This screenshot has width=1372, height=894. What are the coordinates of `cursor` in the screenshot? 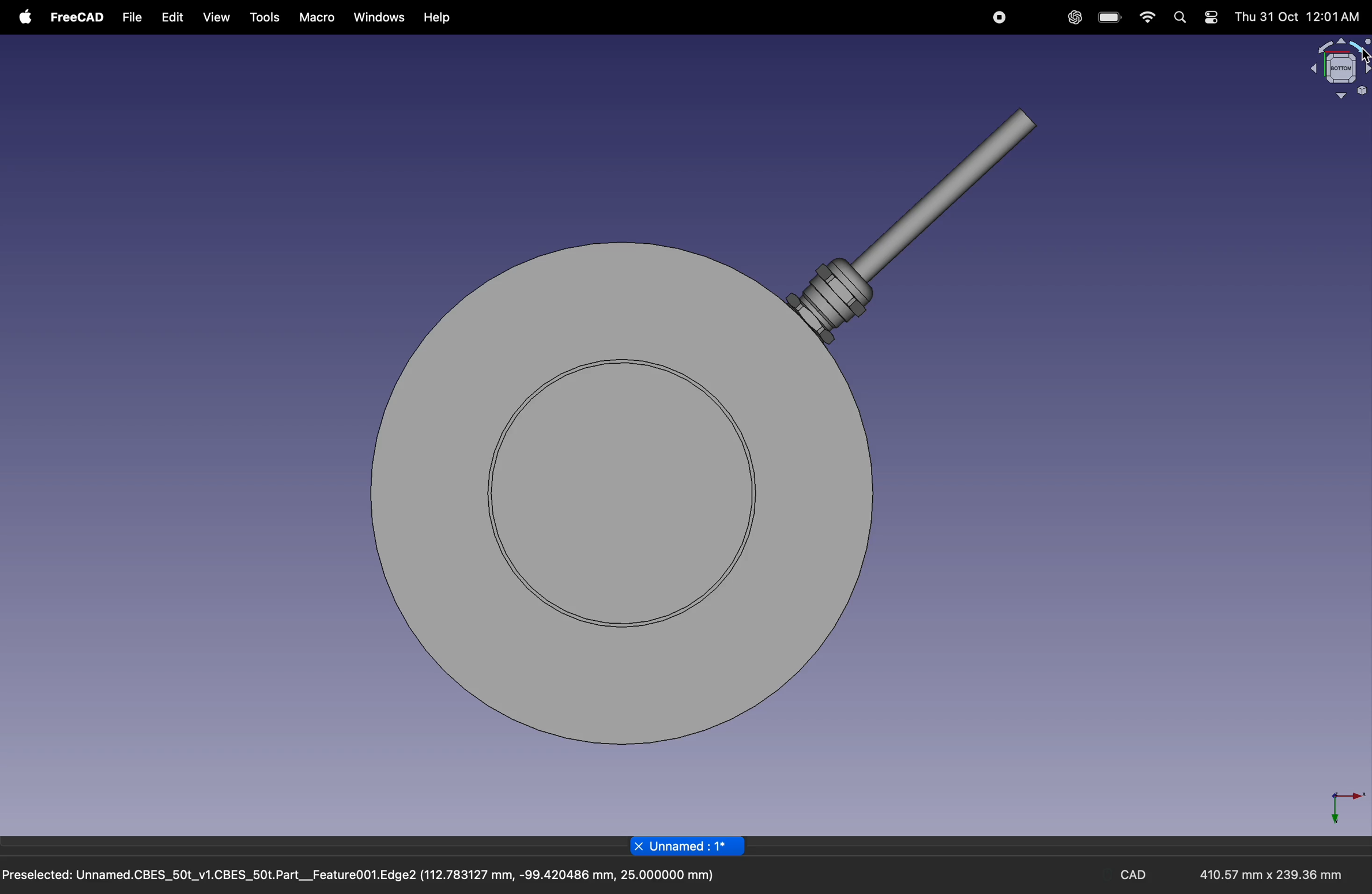 It's located at (1363, 58).